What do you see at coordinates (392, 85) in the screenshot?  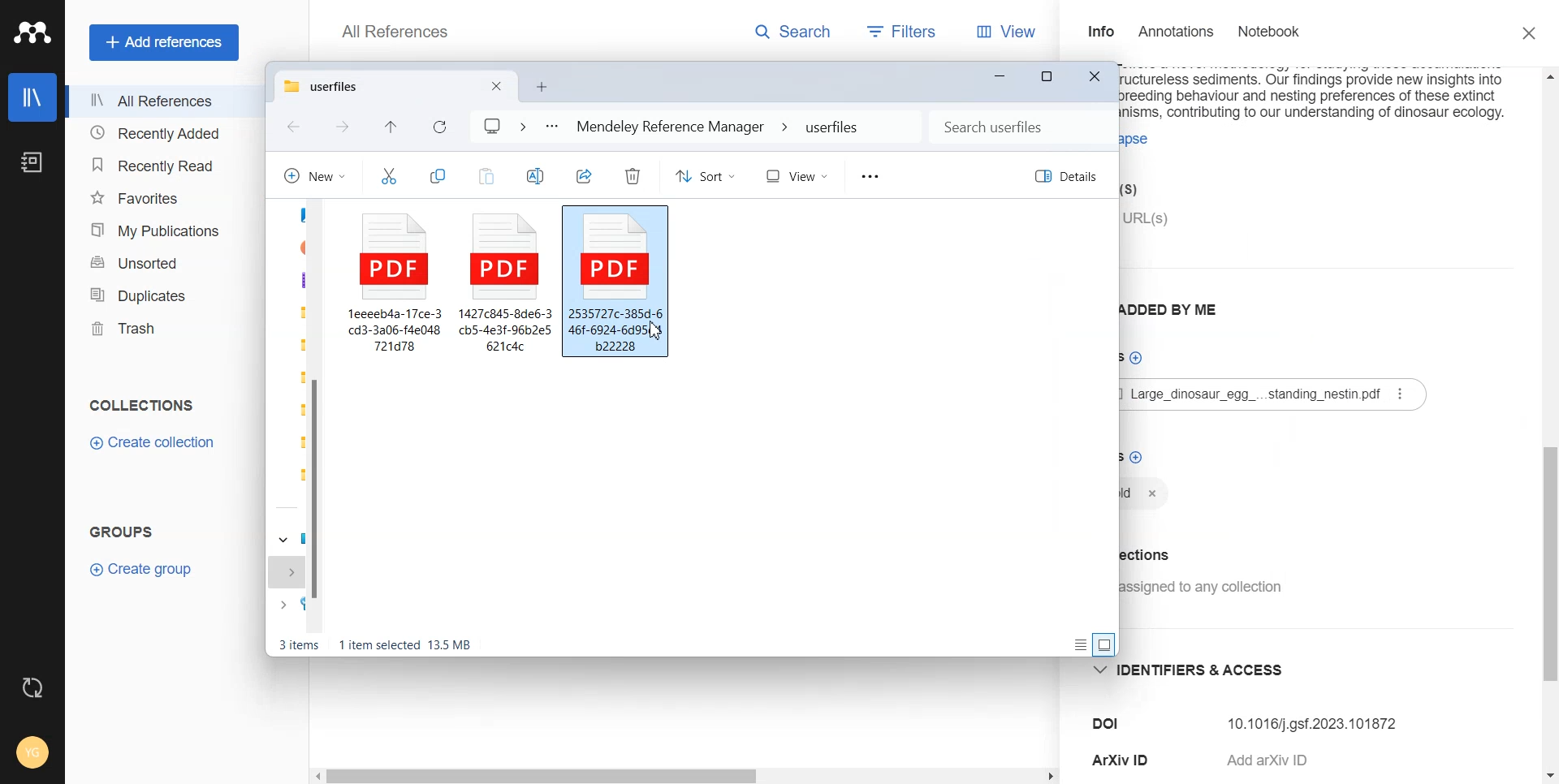 I see `Current tab` at bounding box center [392, 85].